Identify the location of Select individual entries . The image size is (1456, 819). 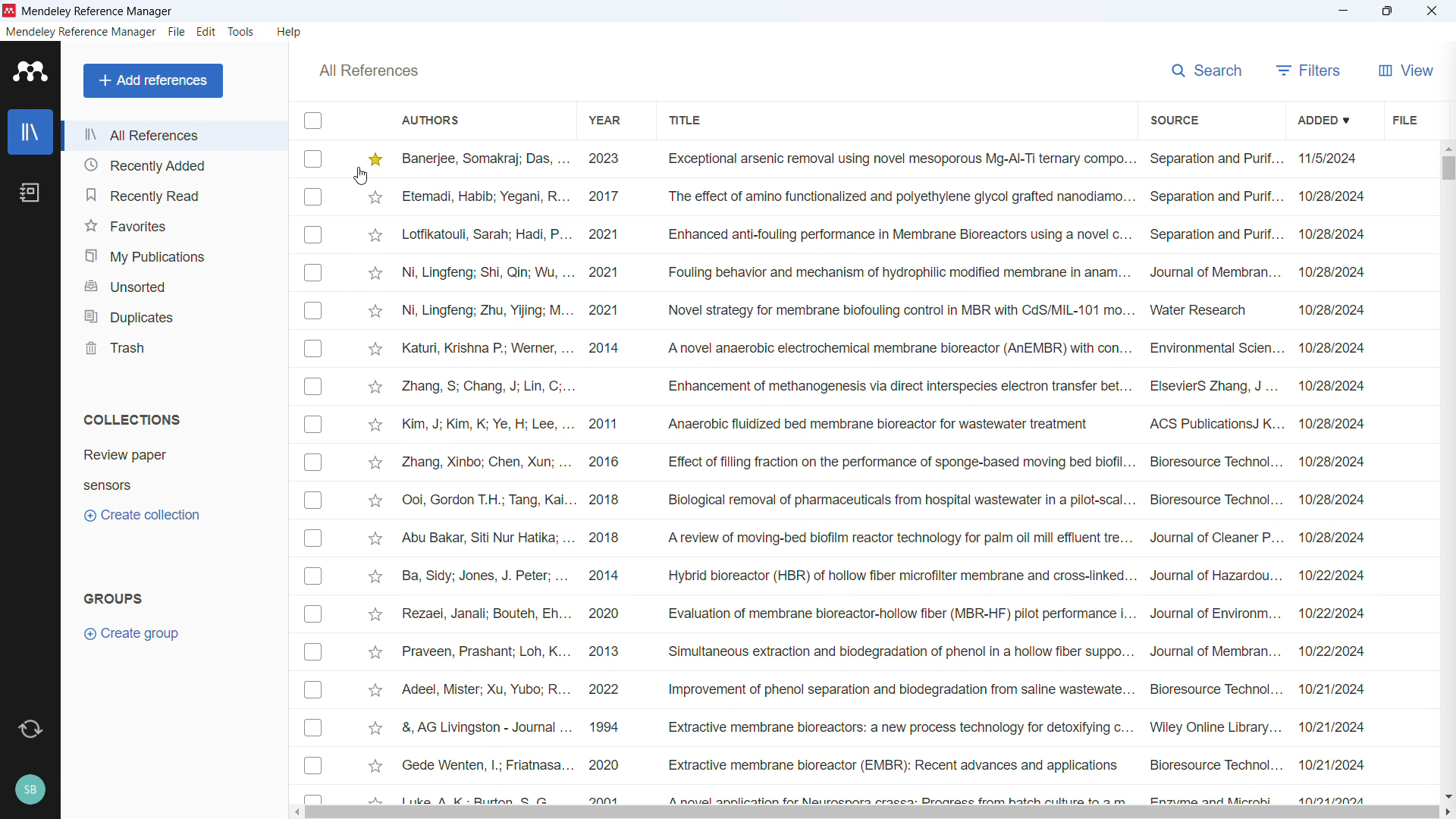
(312, 474).